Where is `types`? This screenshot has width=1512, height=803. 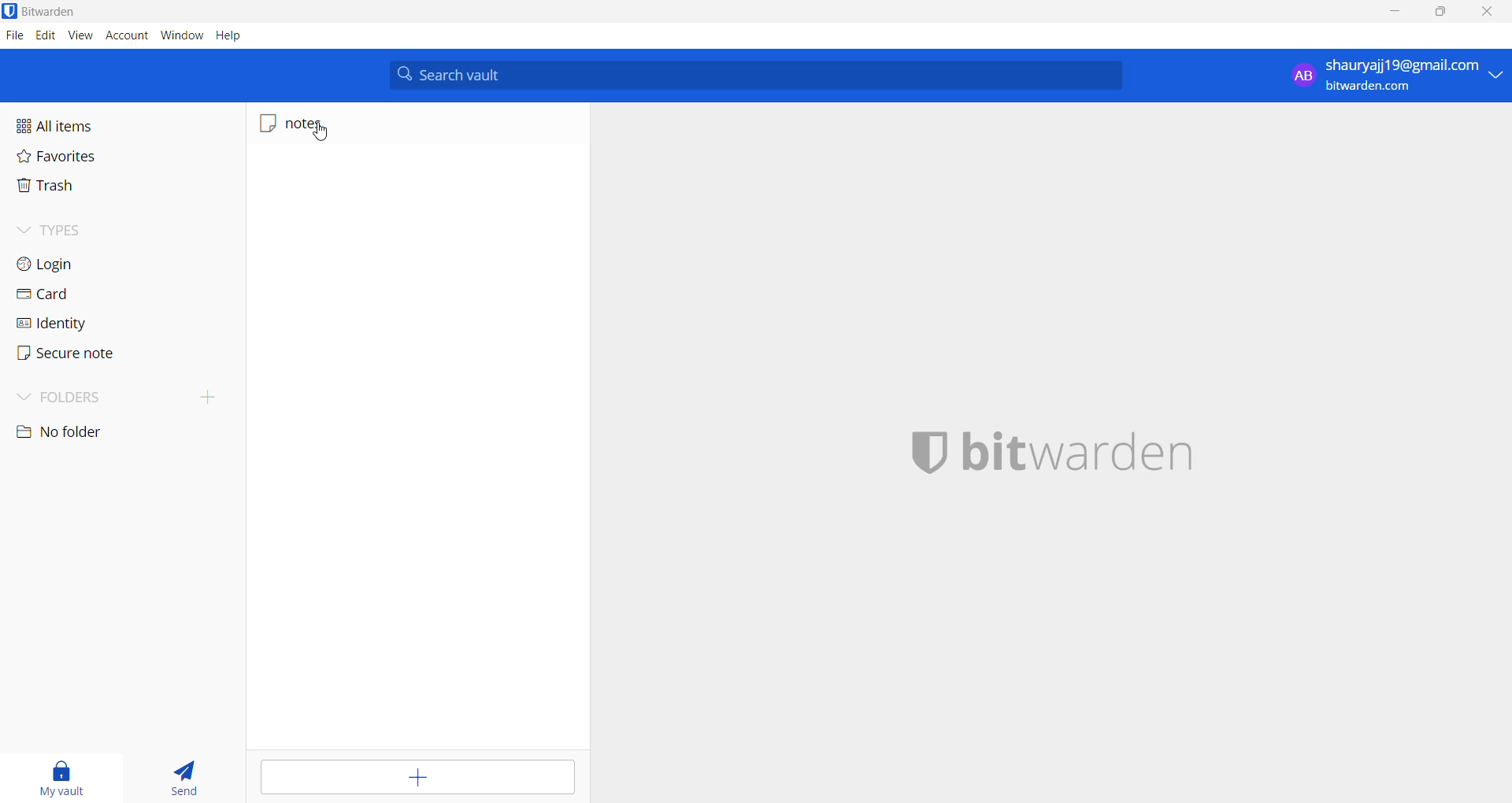 types is located at coordinates (72, 230).